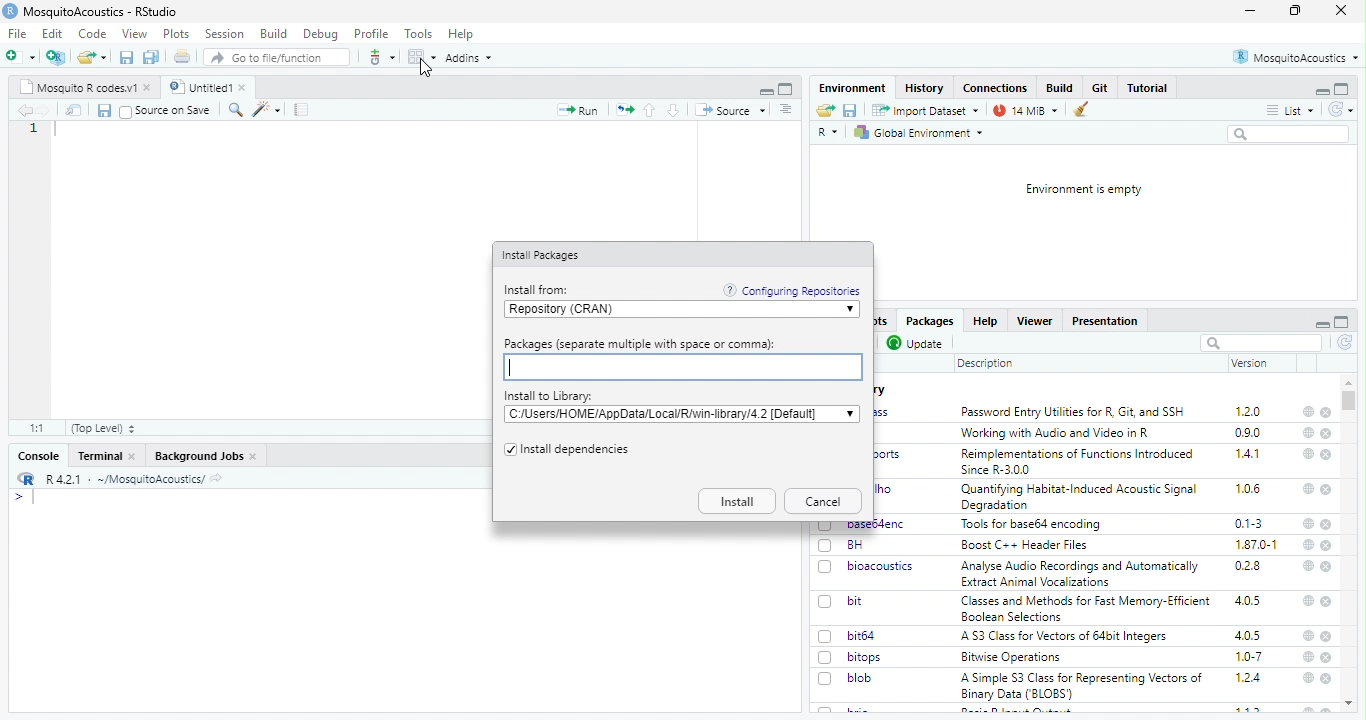 The image size is (1366, 720). I want to click on icon, so click(624, 111).